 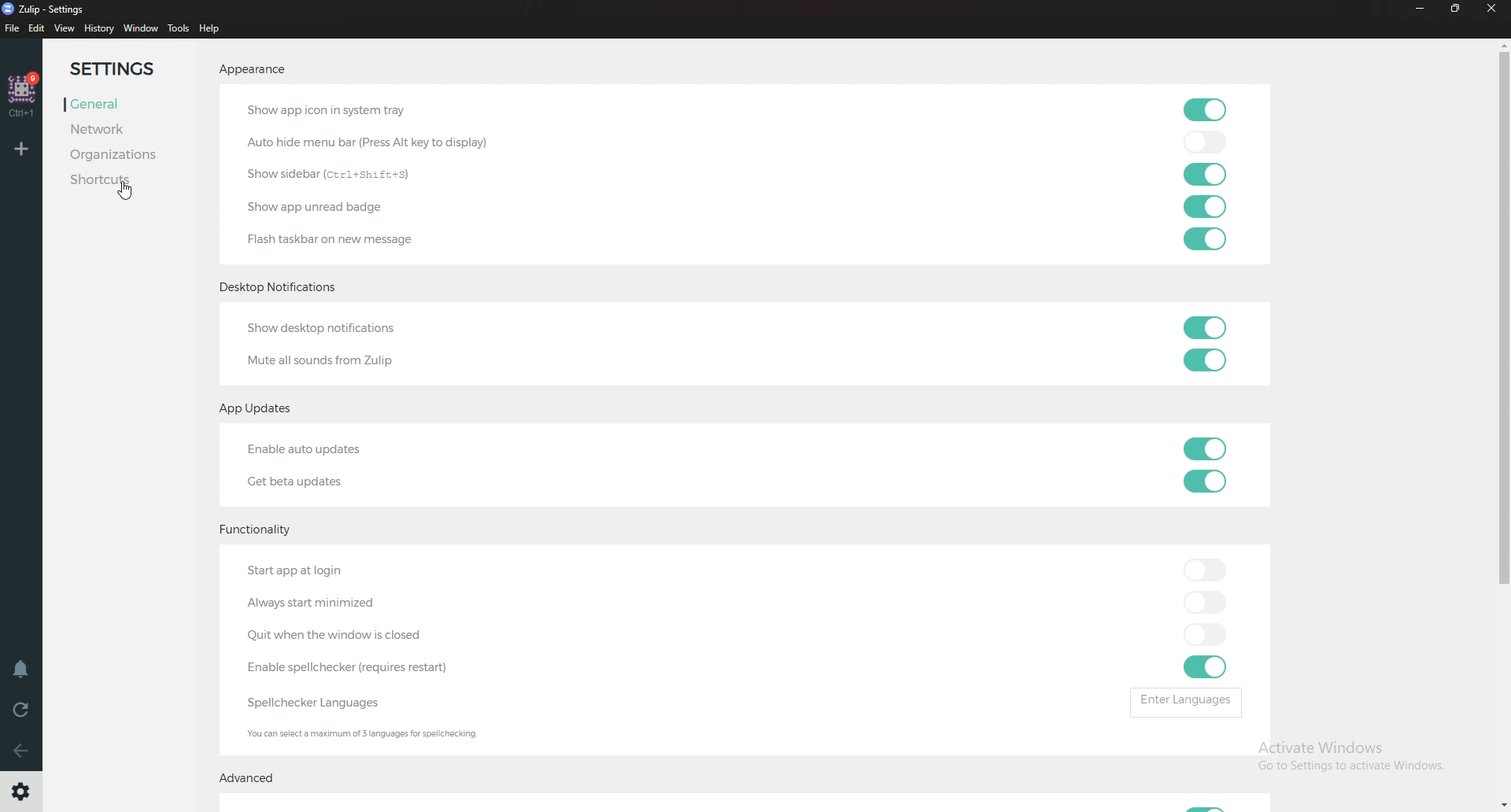 What do you see at coordinates (316, 604) in the screenshot?
I see `Always start minimized` at bounding box center [316, 604].